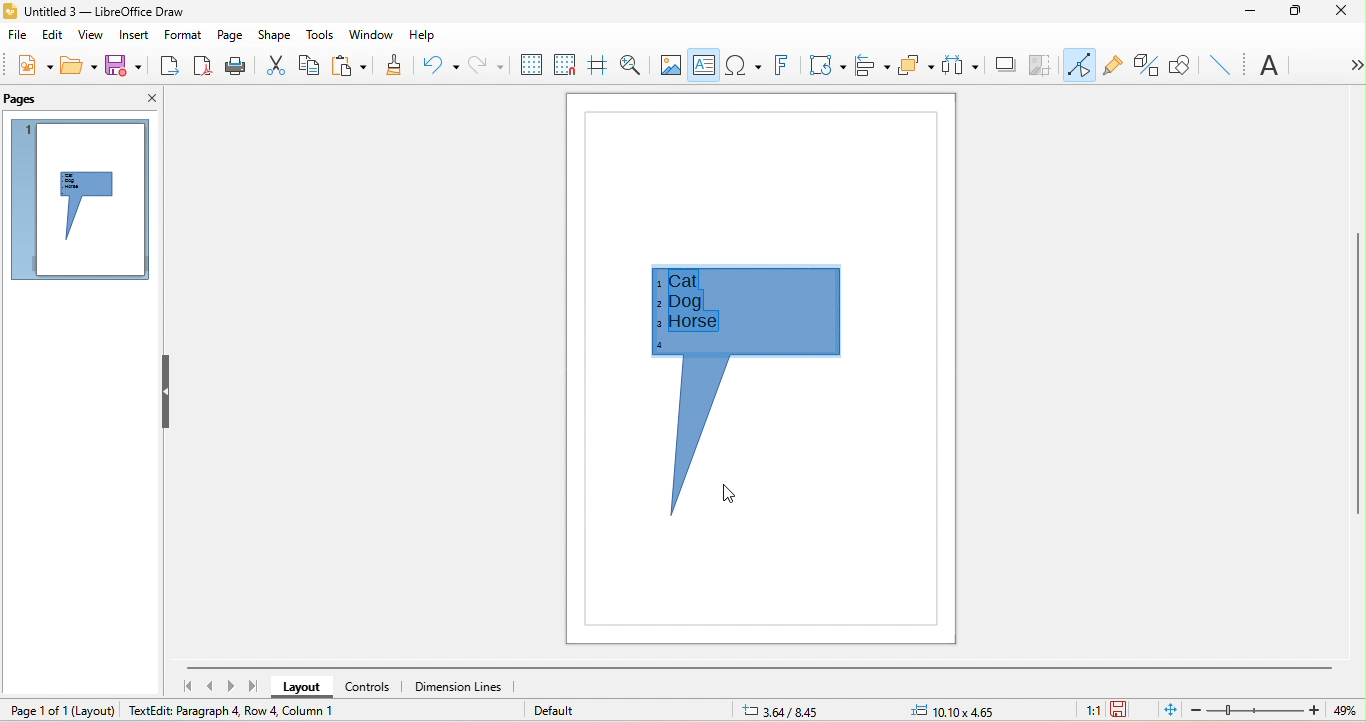 Image resolution: width=1366 pixels, height=722 pixels. What do you see at coordinates (274, 65) in the screenshot?
I see `cut` at bounding box center [274, 65].